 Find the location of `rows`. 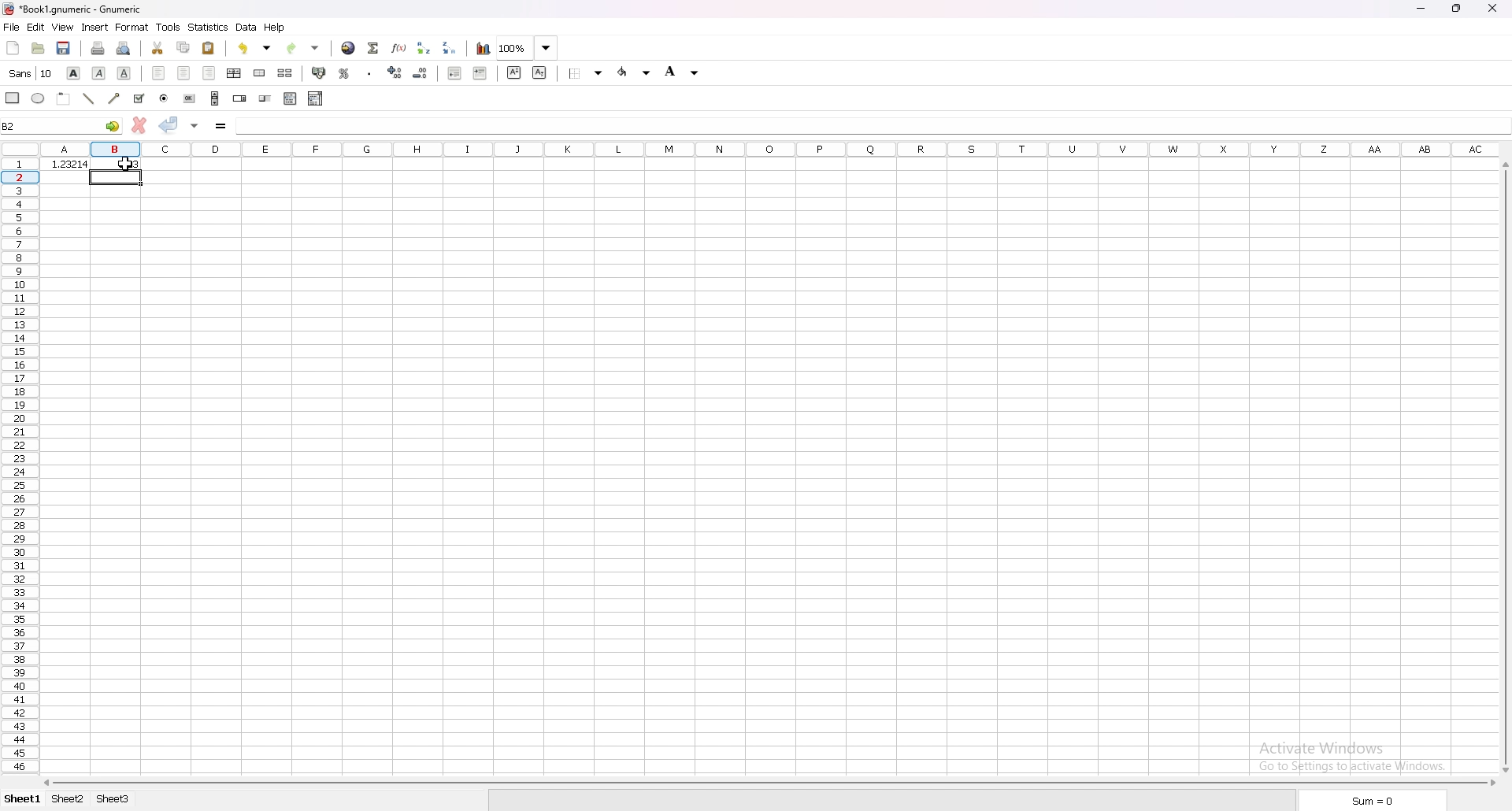

rows is located at coordinates (24, 465).